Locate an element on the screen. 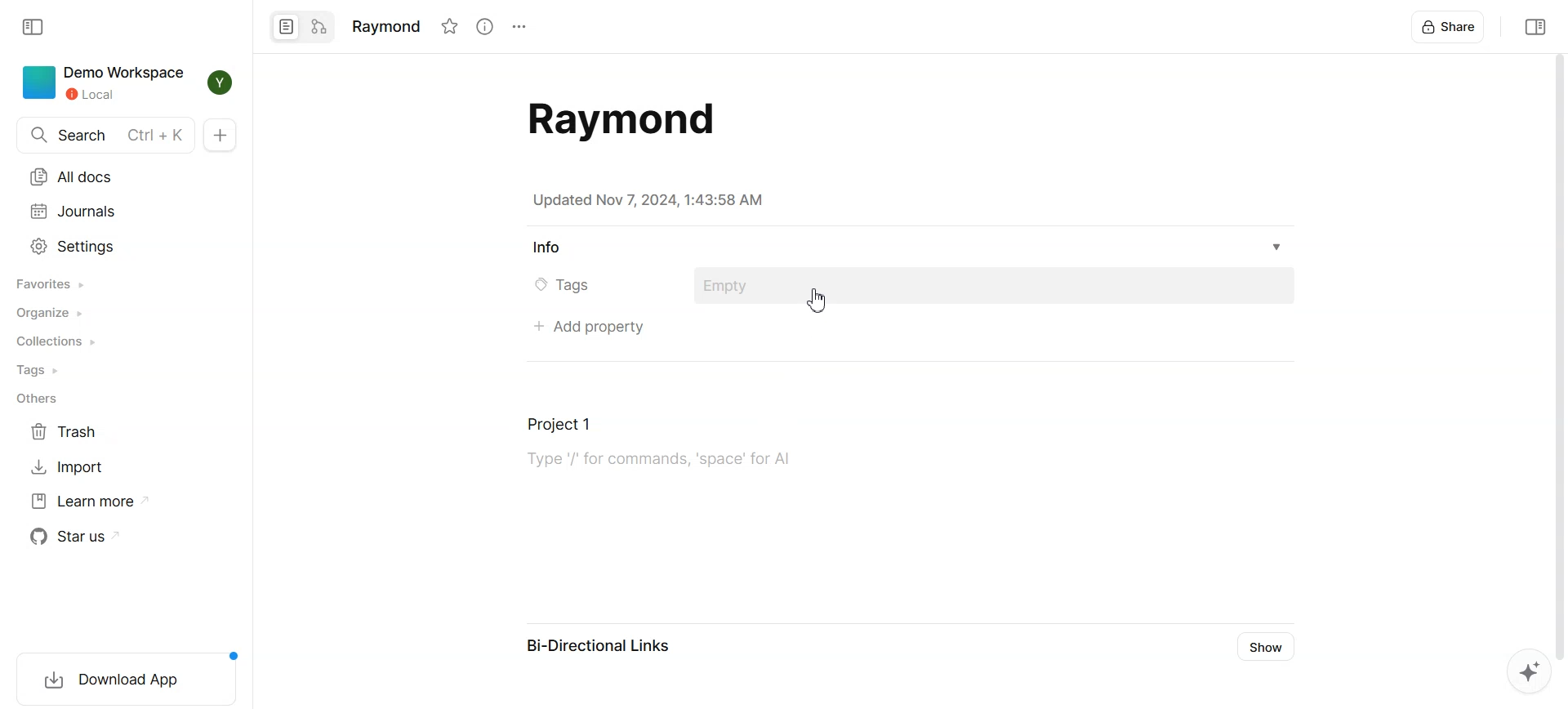 The height and width of the screenshot is (709, 1568). Demo Workspace is located at coordinates (105, 83).